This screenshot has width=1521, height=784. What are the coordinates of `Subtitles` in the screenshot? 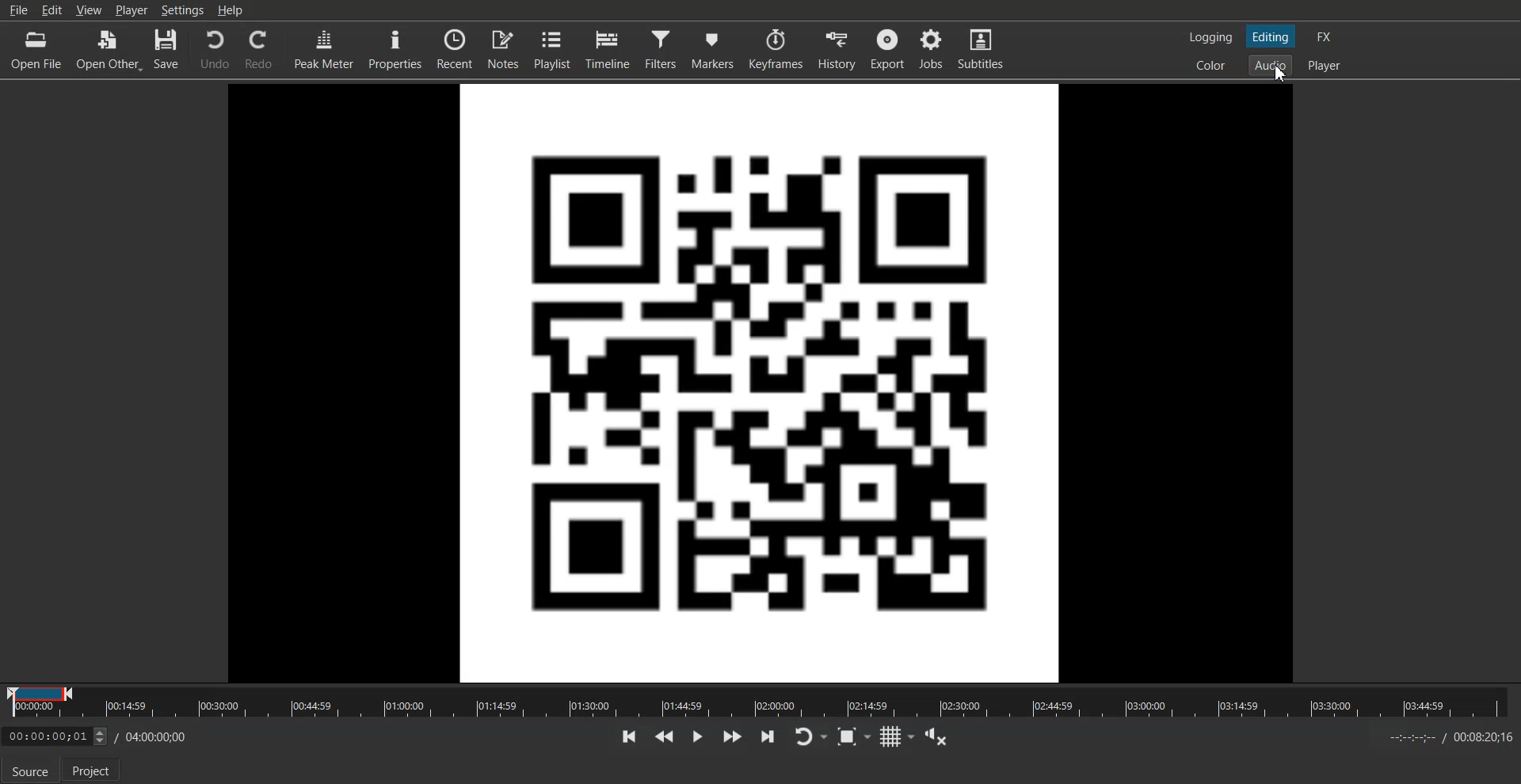 It's located at (981, 49).